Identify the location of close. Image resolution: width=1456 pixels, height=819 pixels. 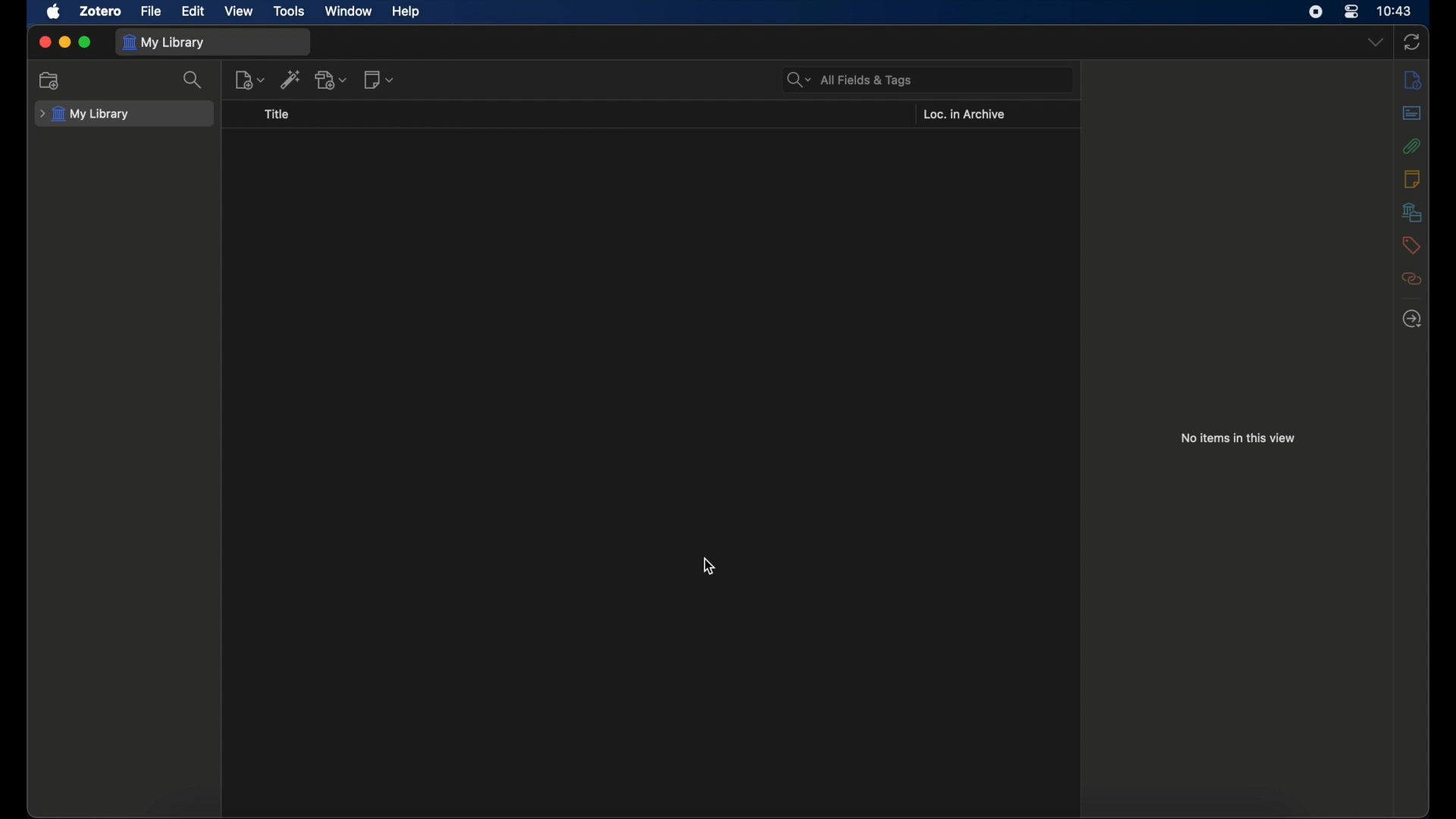
(45, 41).